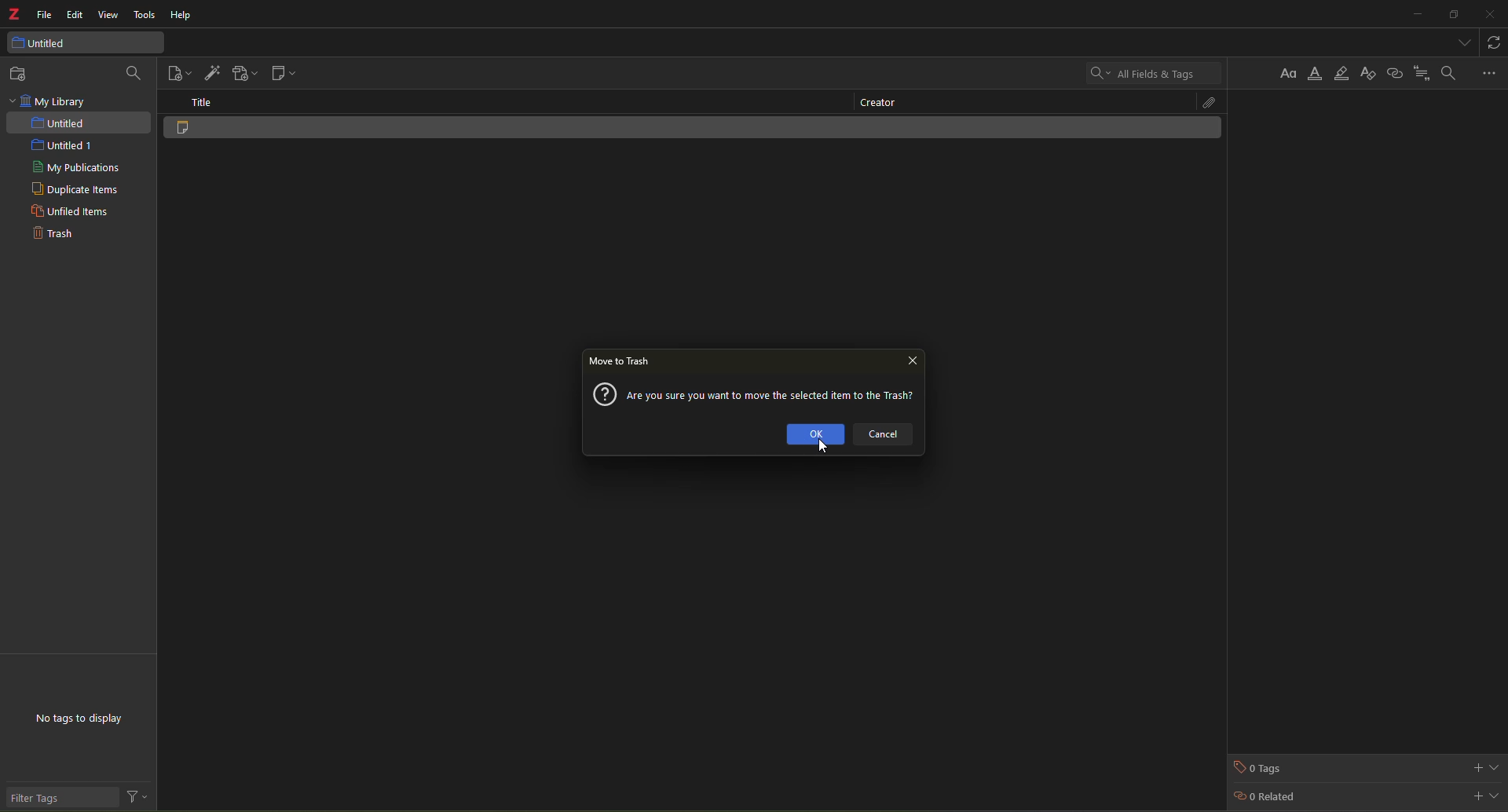 The image size is (1508, 812). I want to click on trash, so click(52, 236).